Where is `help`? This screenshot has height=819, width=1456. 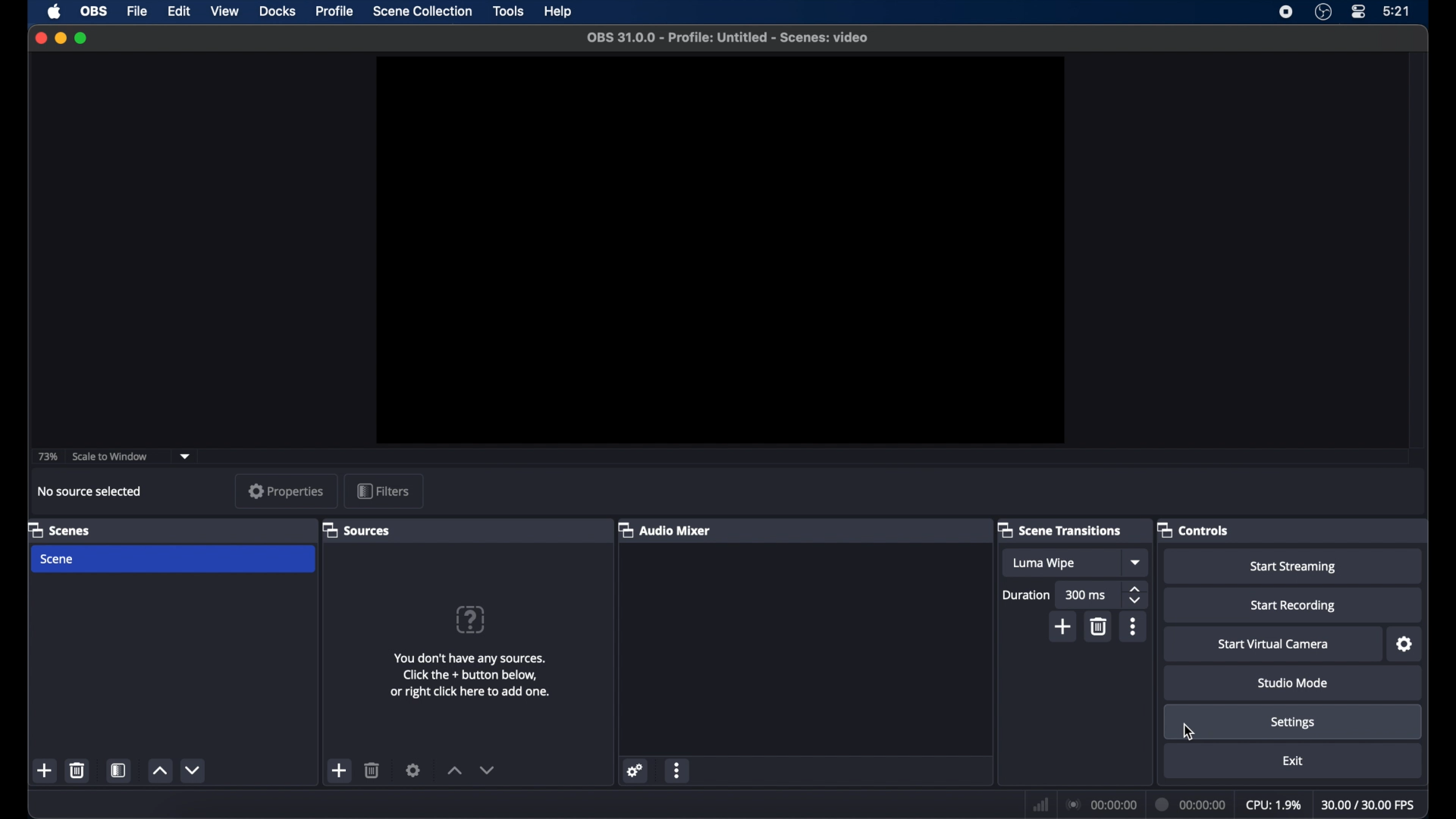 help is located at coordinates (559, 12).